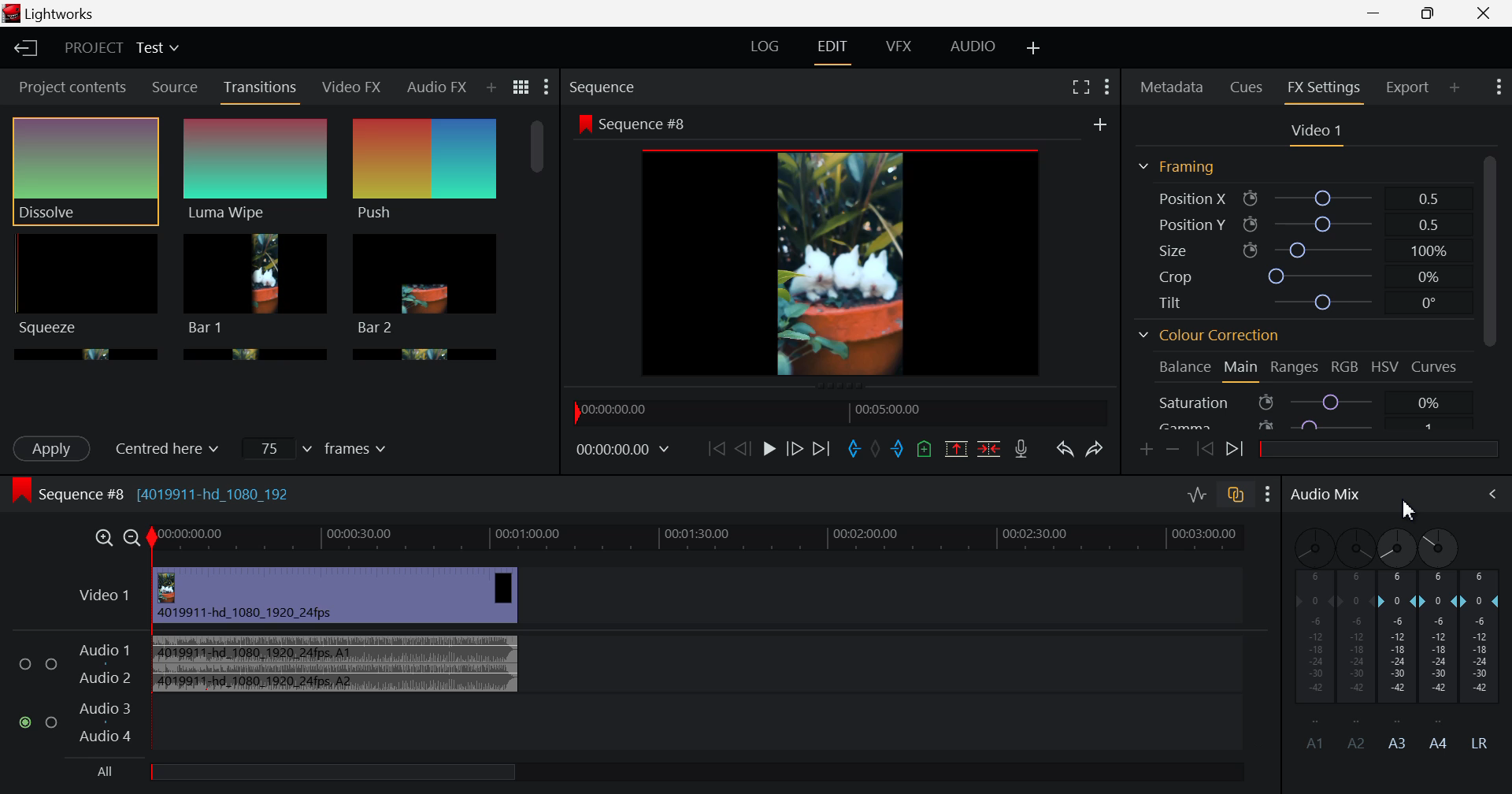 The image size is (1512, 794). I want to click on Audio FX, so click(435, 90).